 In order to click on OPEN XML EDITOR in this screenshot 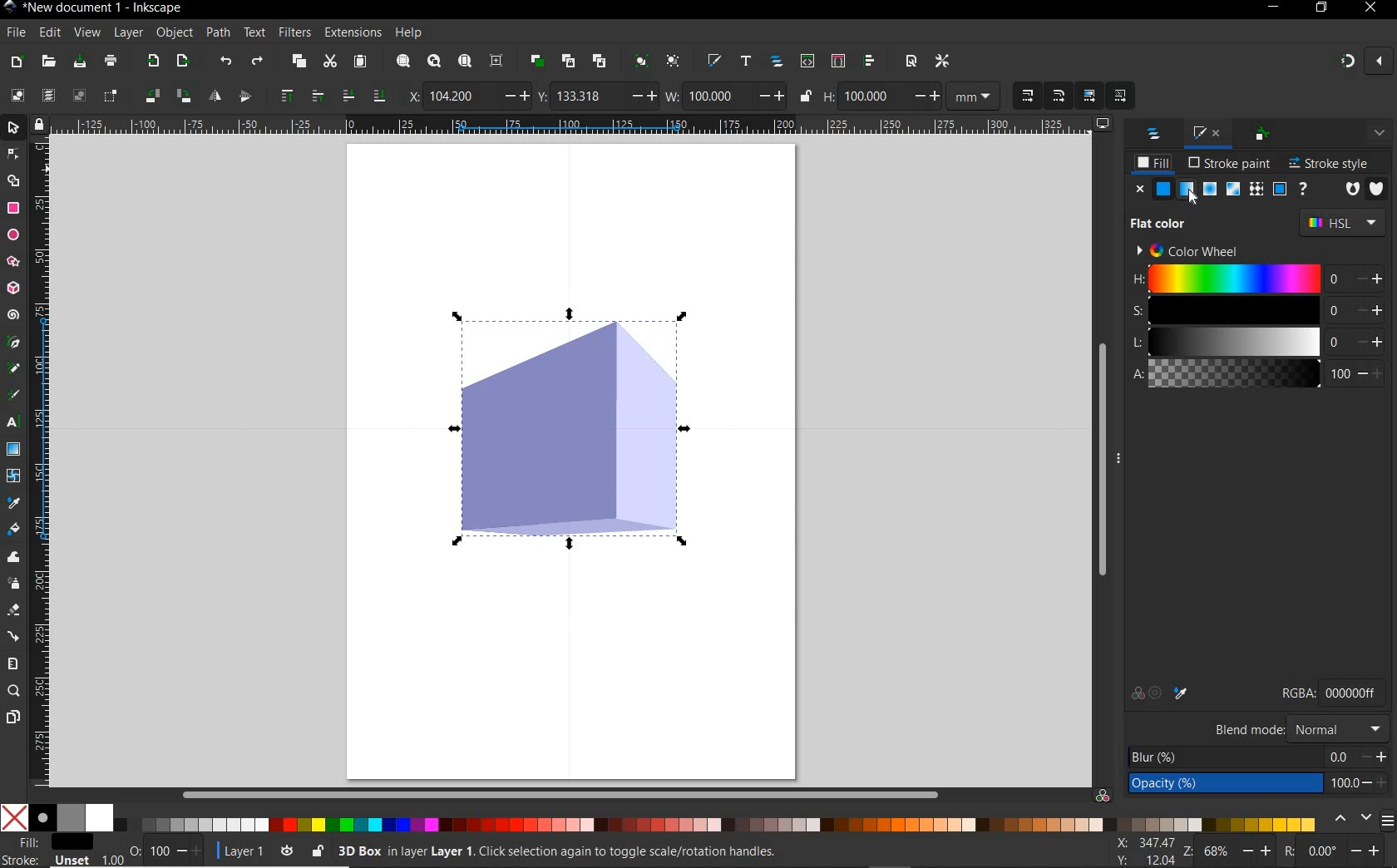, I will do `click(807, 63)`.